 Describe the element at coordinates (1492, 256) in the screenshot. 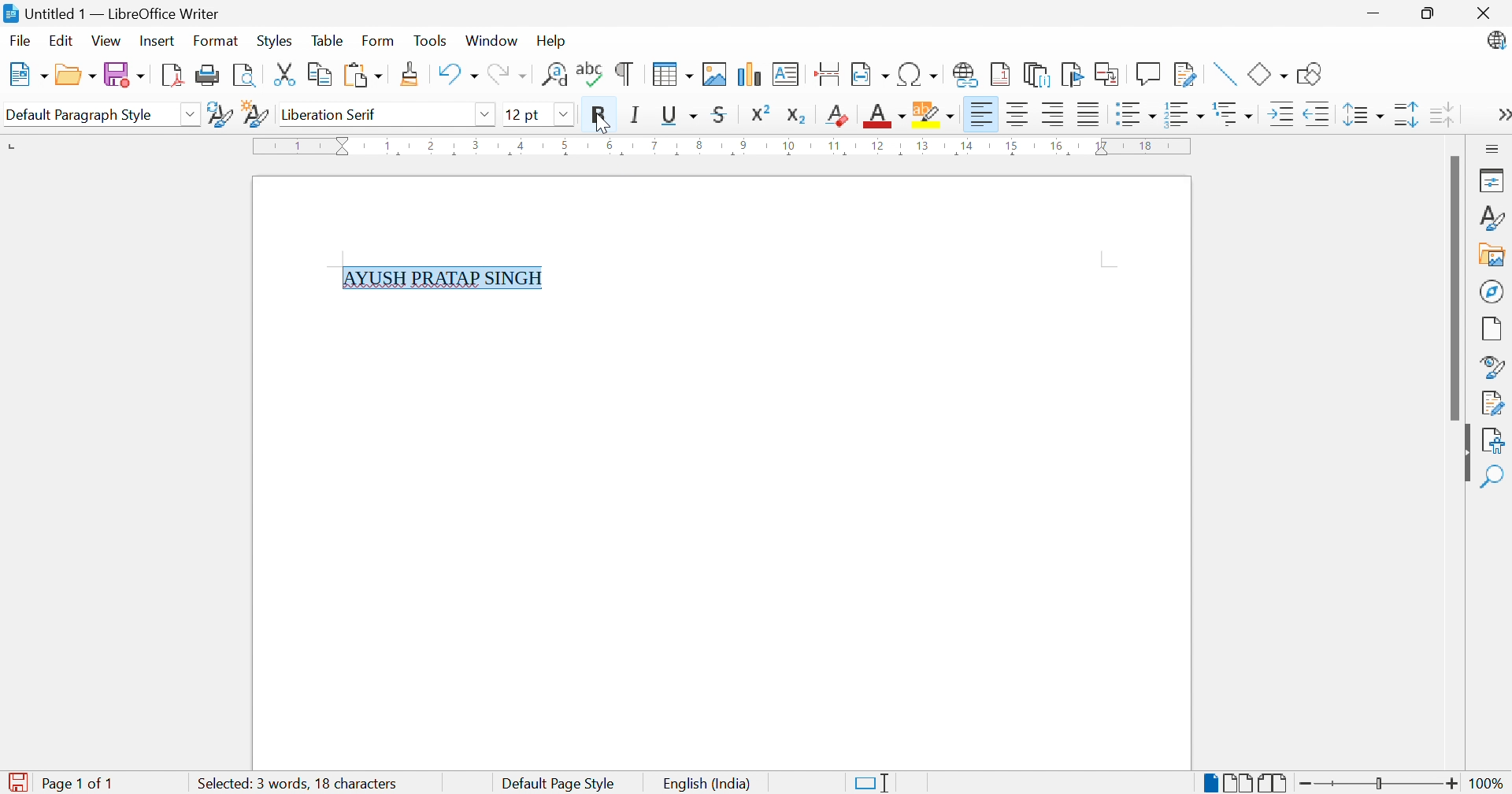

I see `Gallery` at that location.